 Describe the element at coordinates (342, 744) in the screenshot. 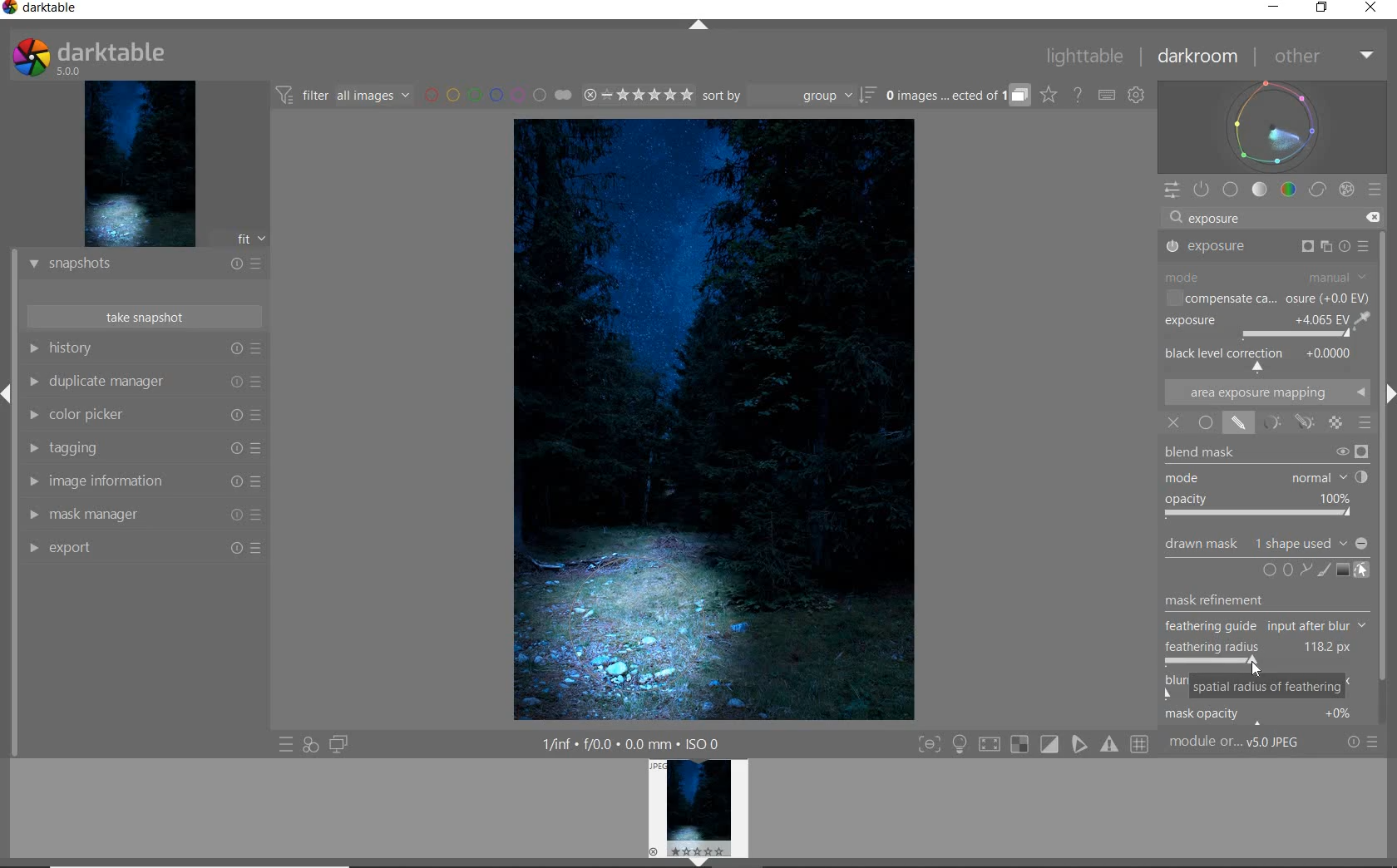

I see `DISPLAY A SECOND DARKROOM IMAGE WINDOW` at that location.